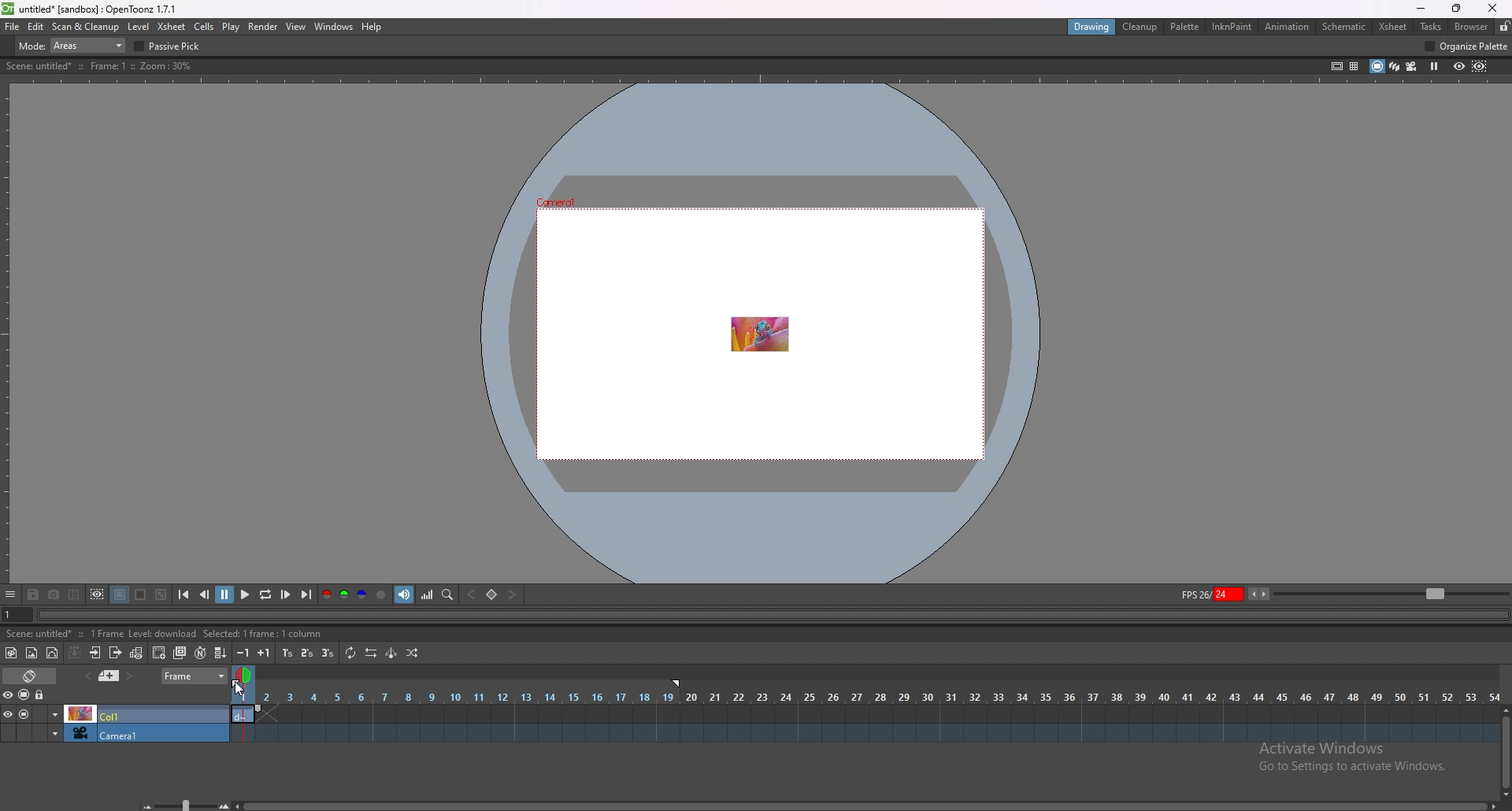  I want to click on browser, so click(1473, 26).